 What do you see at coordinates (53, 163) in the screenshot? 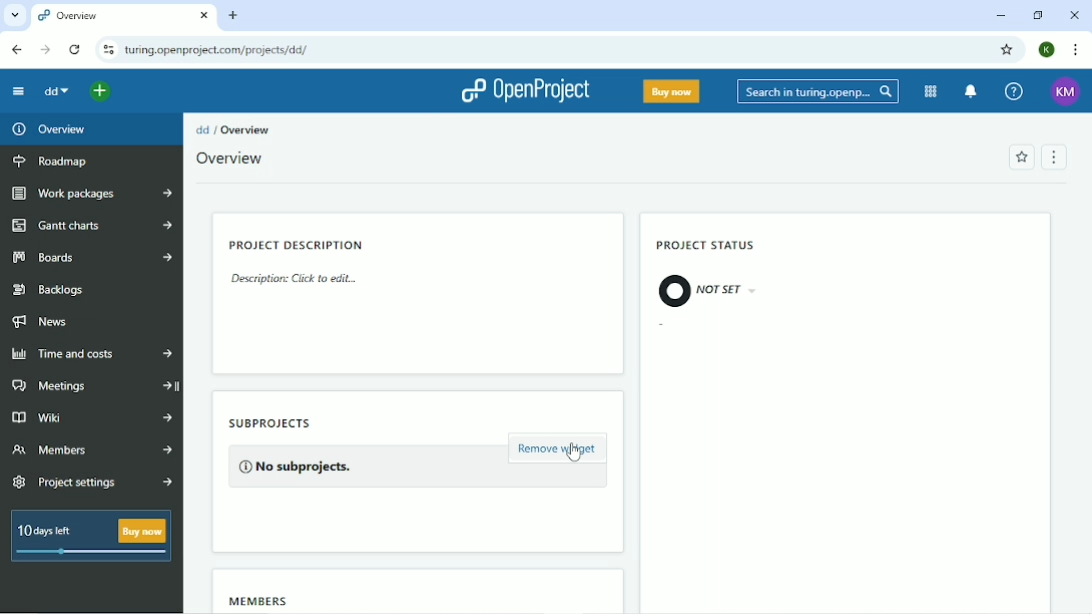
I see `Roadmap` at bounding box center [53, 163].